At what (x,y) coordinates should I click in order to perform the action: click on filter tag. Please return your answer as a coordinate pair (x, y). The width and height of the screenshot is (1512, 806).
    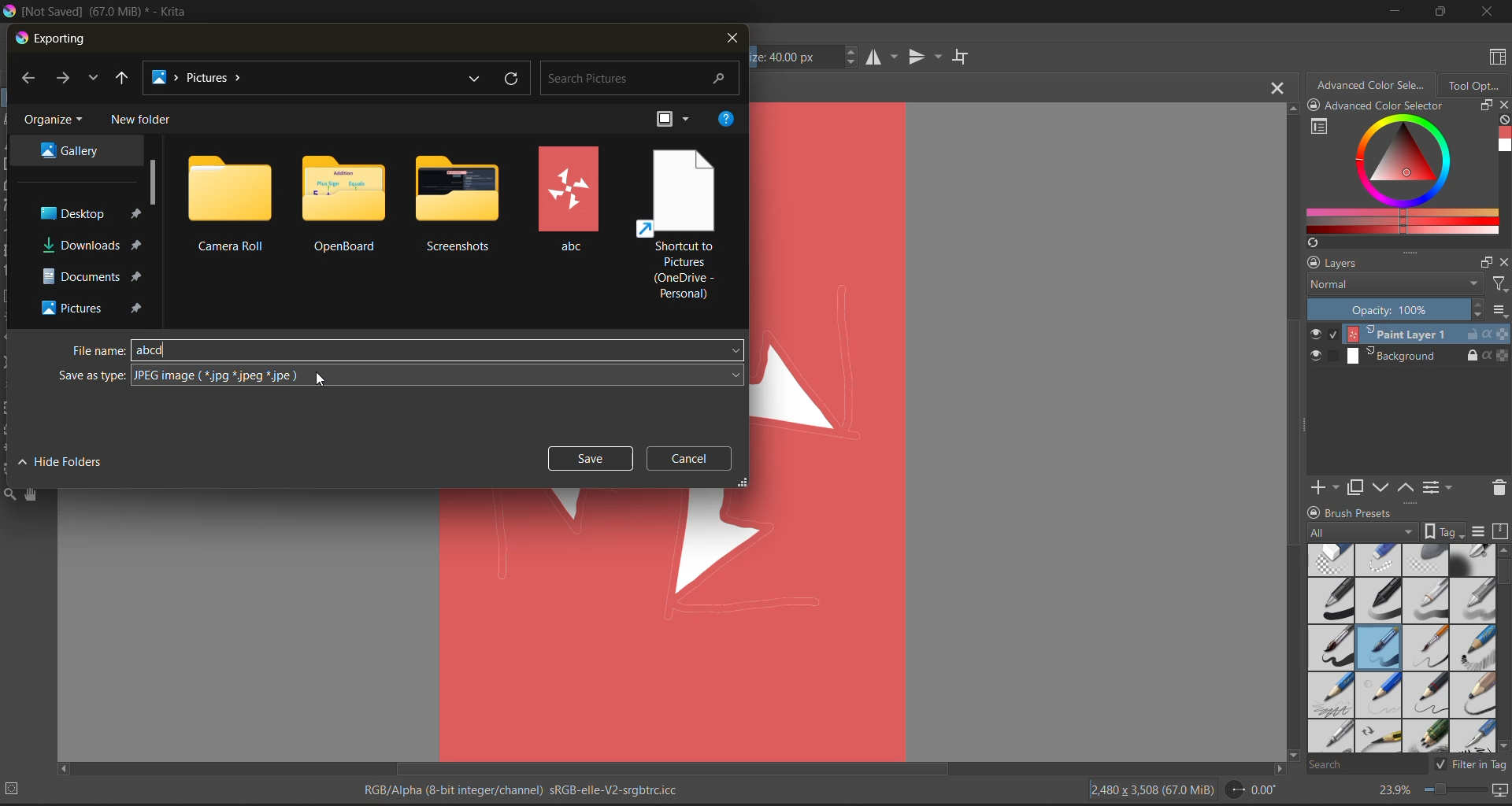
    Looking at the image, I should click on (1471, 766).